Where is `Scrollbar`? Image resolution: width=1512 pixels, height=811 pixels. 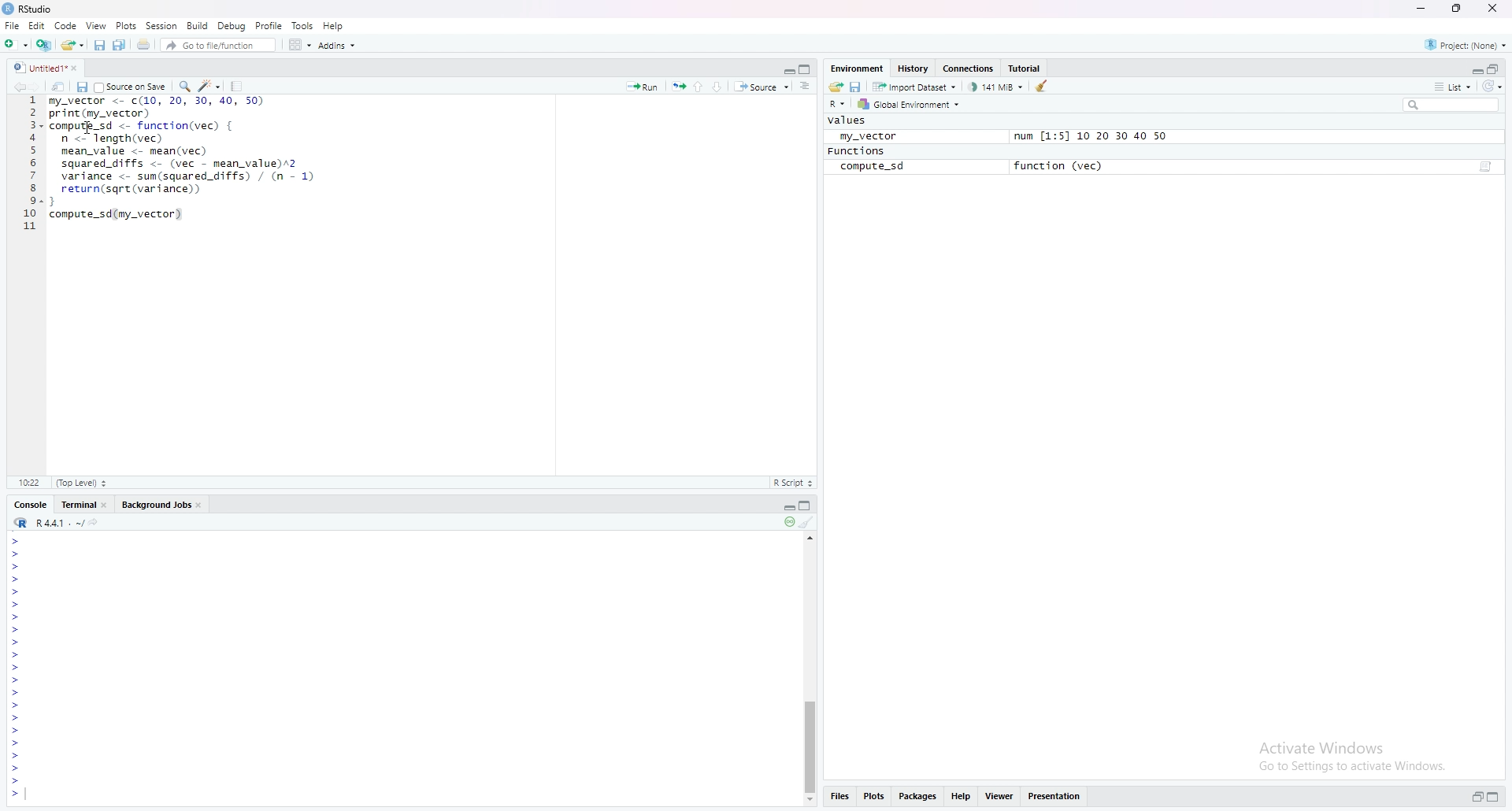 Scrollbar is located at coordinates (810, 742).